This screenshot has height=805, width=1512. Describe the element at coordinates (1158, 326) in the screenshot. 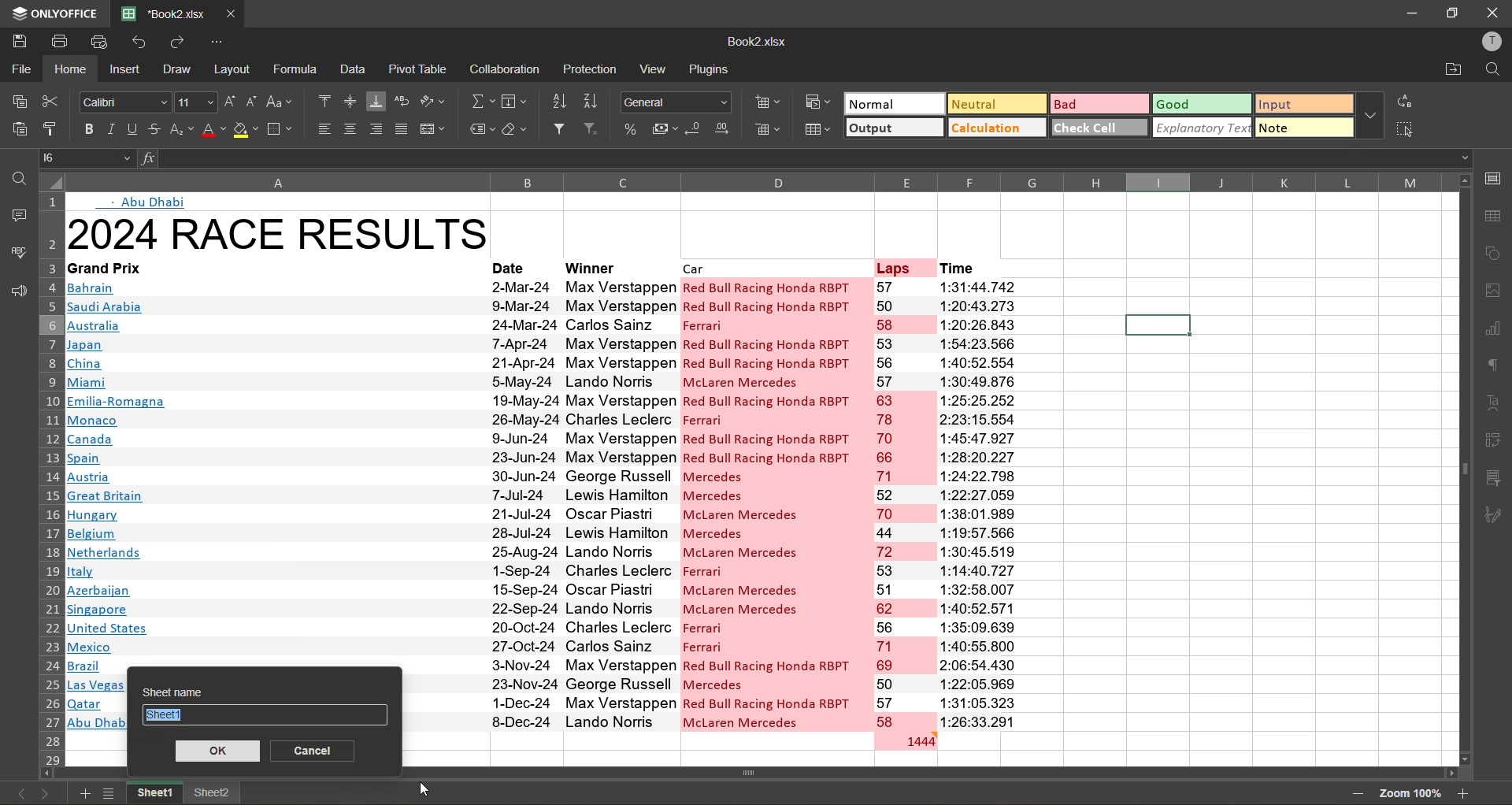

I see `selected cell` at that location.